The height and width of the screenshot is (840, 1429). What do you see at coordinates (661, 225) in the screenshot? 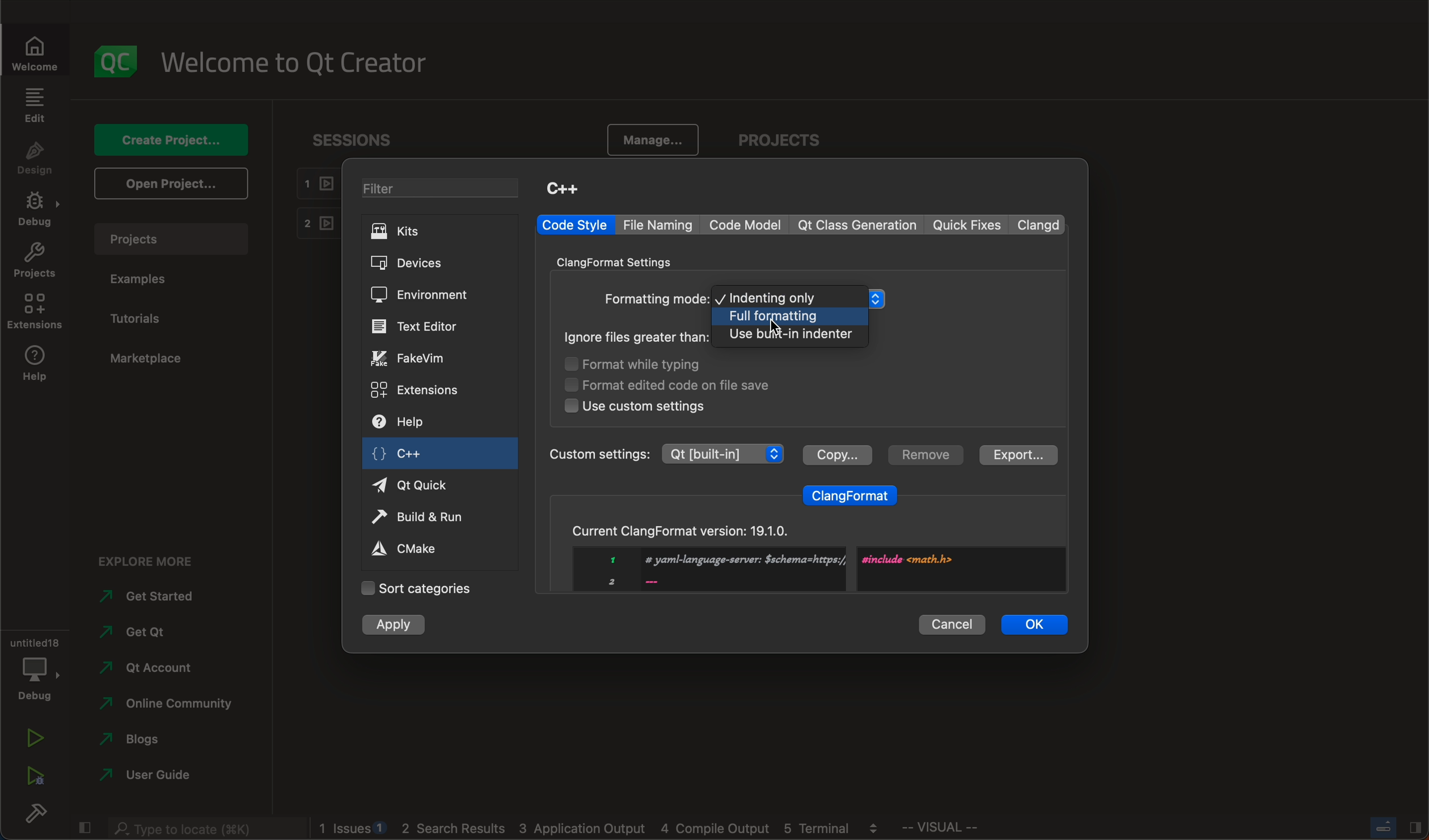
I see `file naming` at bounding box center [661, 225].